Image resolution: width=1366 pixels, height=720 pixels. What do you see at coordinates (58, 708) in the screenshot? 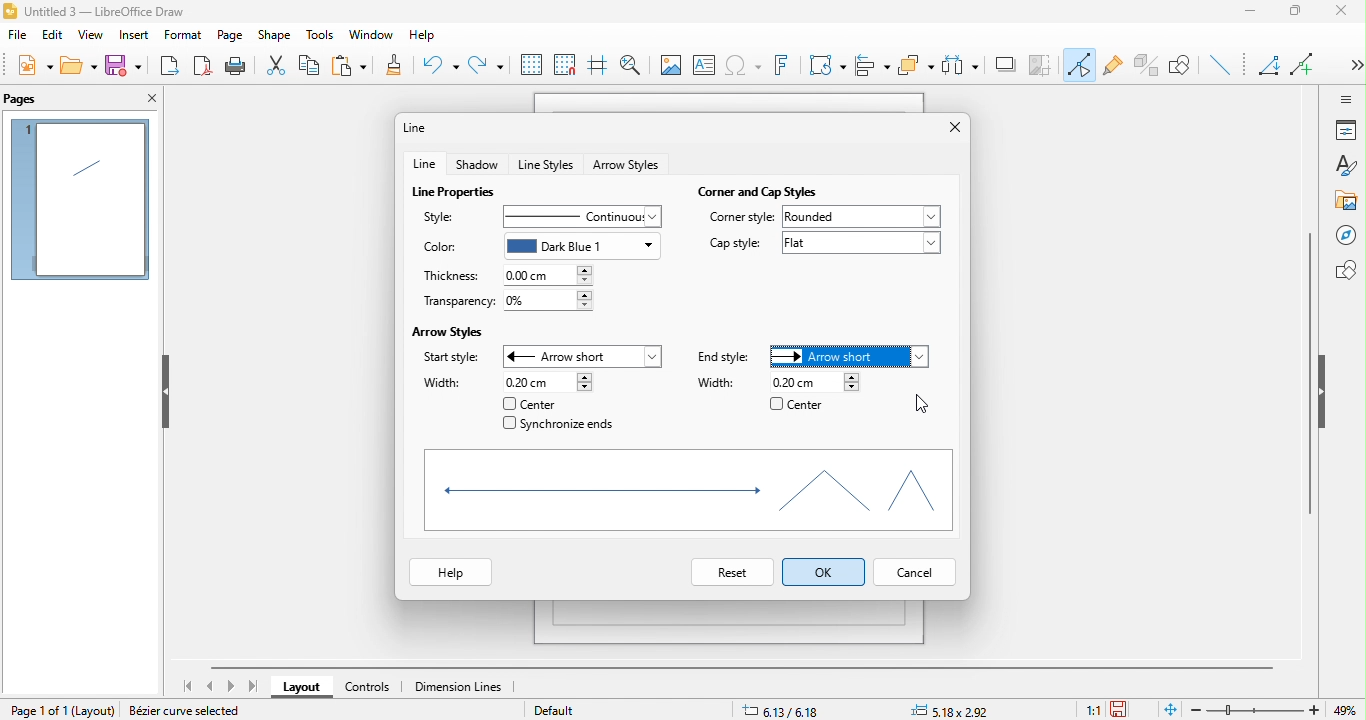
I see `page 1 of 1 (Layout)` at bounding box center [58, 708].